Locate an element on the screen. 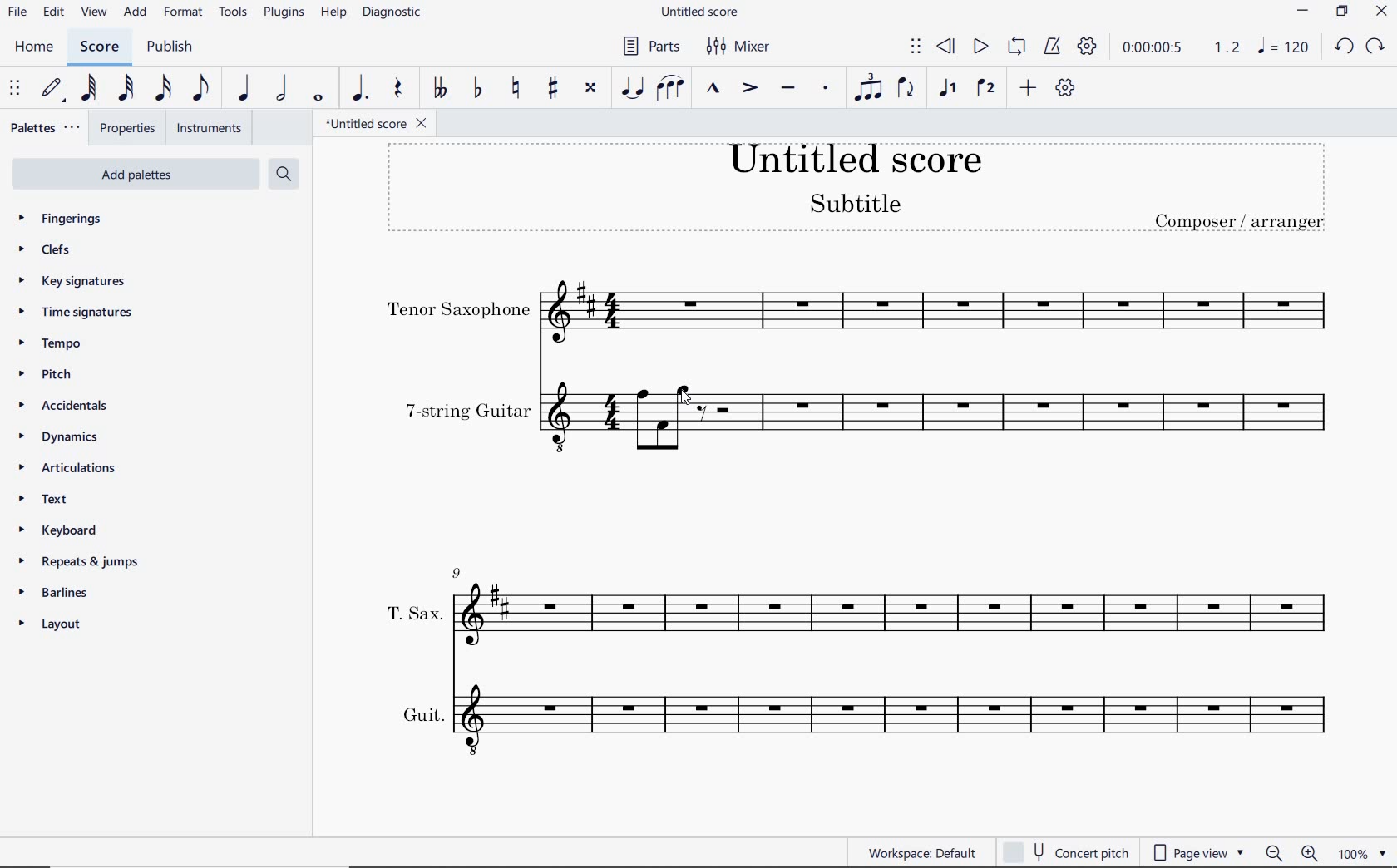 Image resolution: width=1397 pixels, height=868 pixels. WORKSPACE: DEFAULT is located at coordinates (925, 854).